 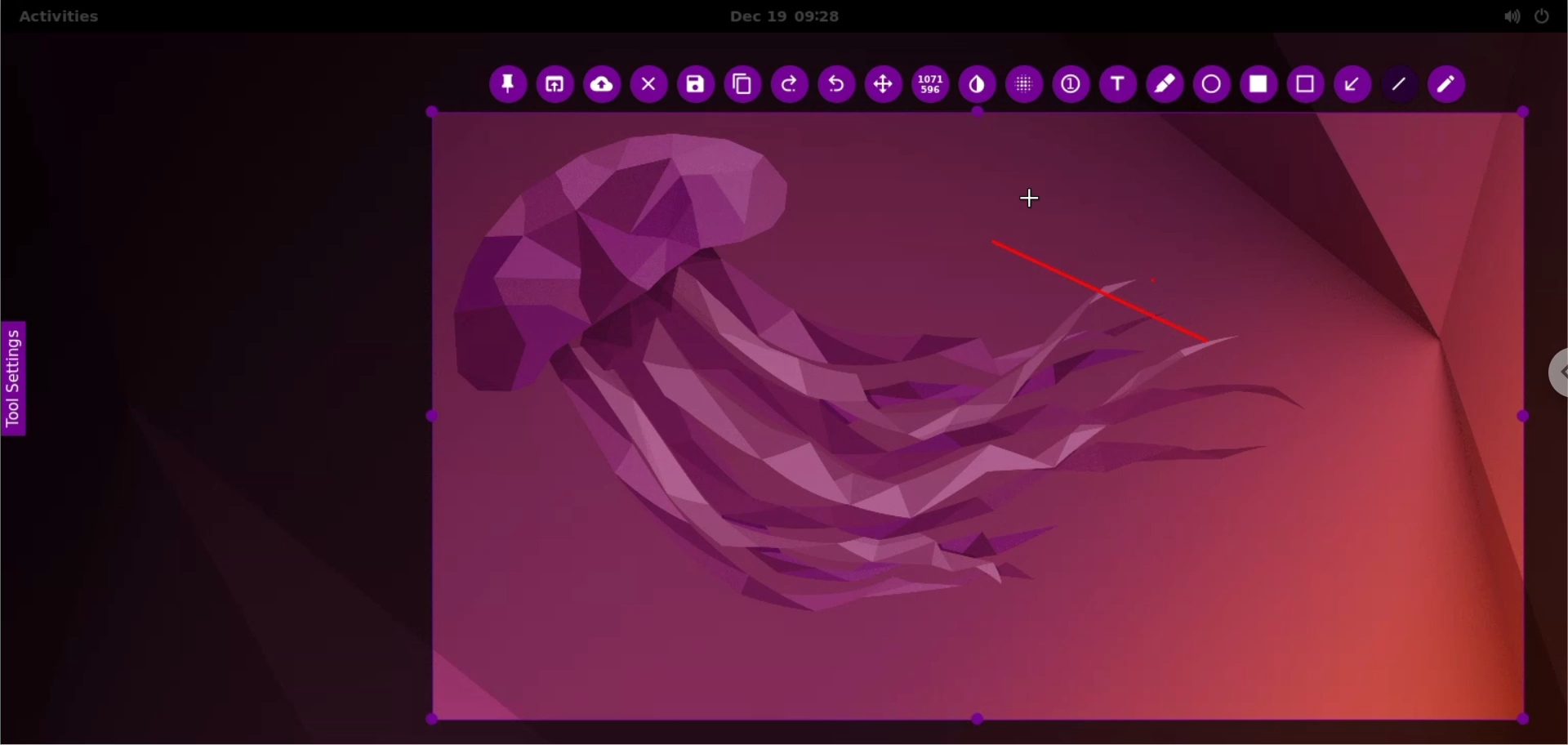 What do you see at coordinates (1303, 84) in the screenshot?
I see `rectangle` at bounding box center [1303, 84].